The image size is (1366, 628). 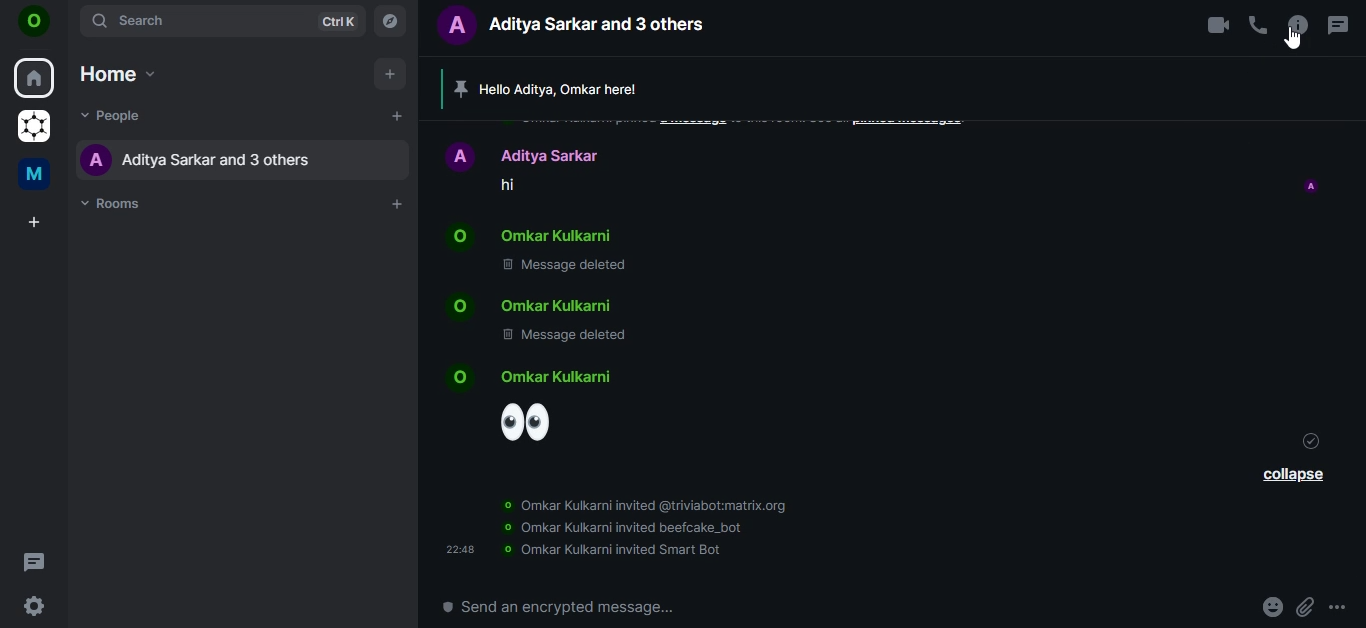 What do you see at coordinates (202, 161) in the screenshot?
I see `aditya sarkar and 3 others` at bounding box center [202, 161].